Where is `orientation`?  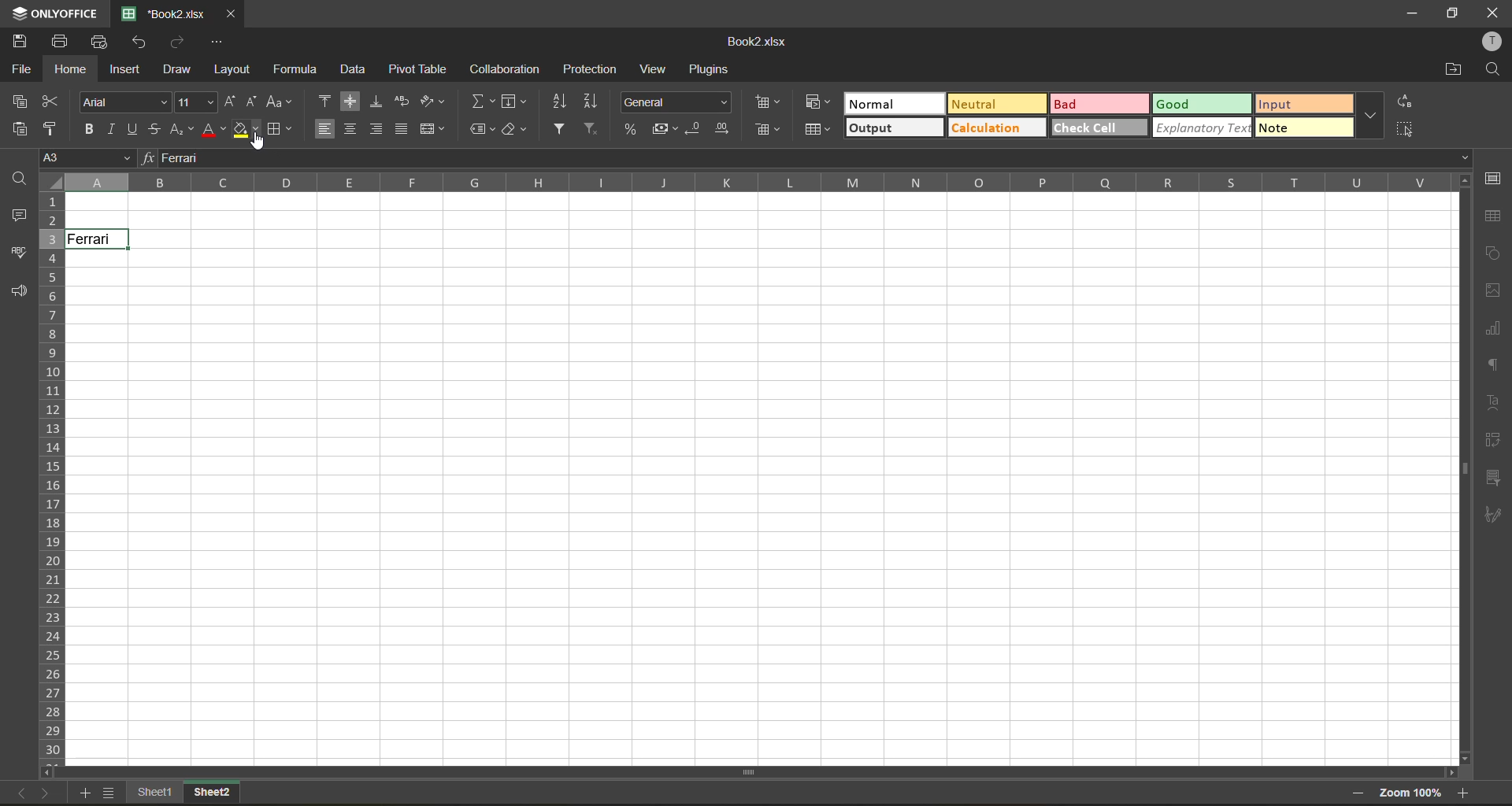
orientation is located at coordinates (432, 102).